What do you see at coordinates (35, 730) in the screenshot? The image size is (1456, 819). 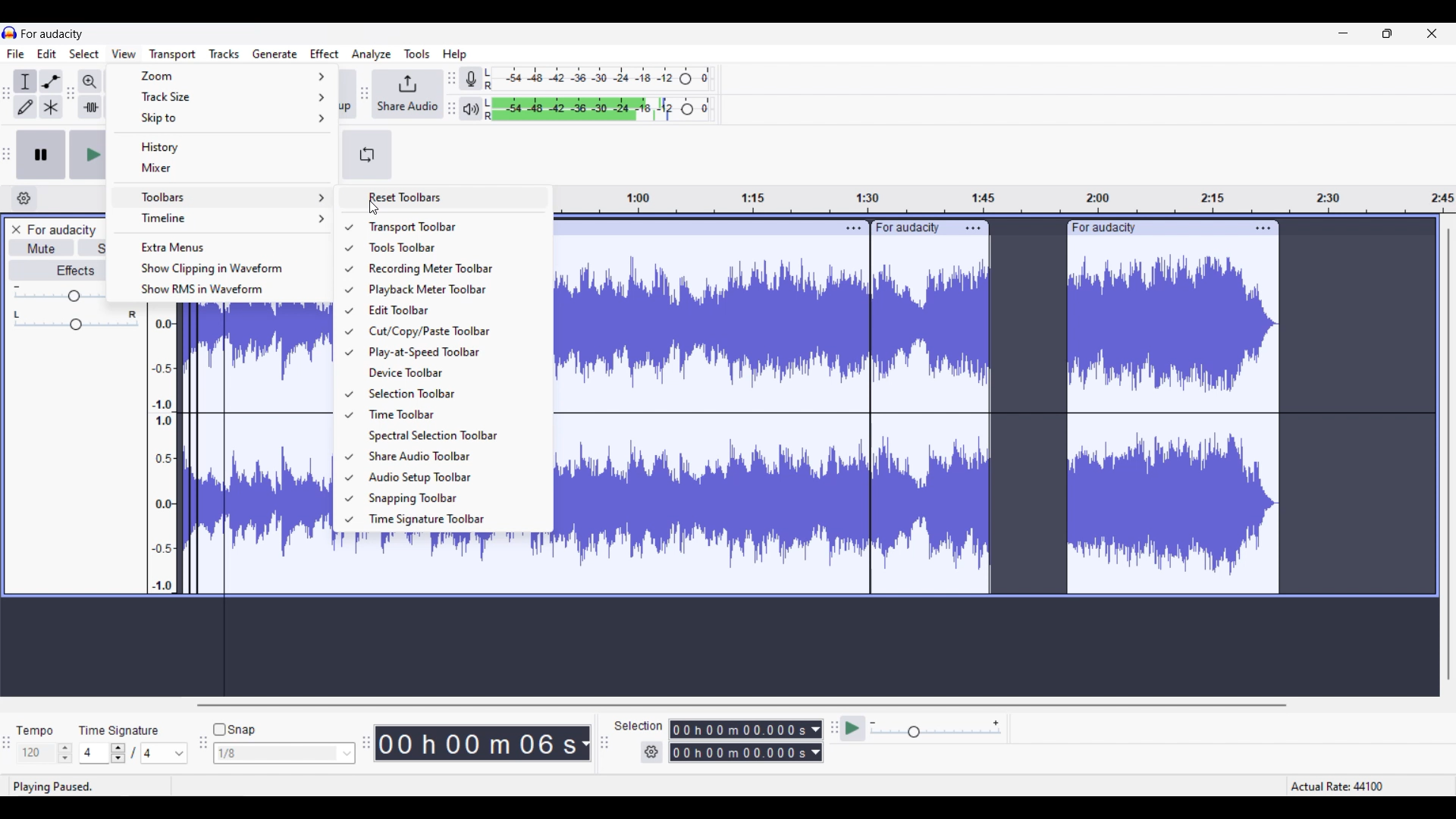 I see `tempo` at bounding box center [35, 730].